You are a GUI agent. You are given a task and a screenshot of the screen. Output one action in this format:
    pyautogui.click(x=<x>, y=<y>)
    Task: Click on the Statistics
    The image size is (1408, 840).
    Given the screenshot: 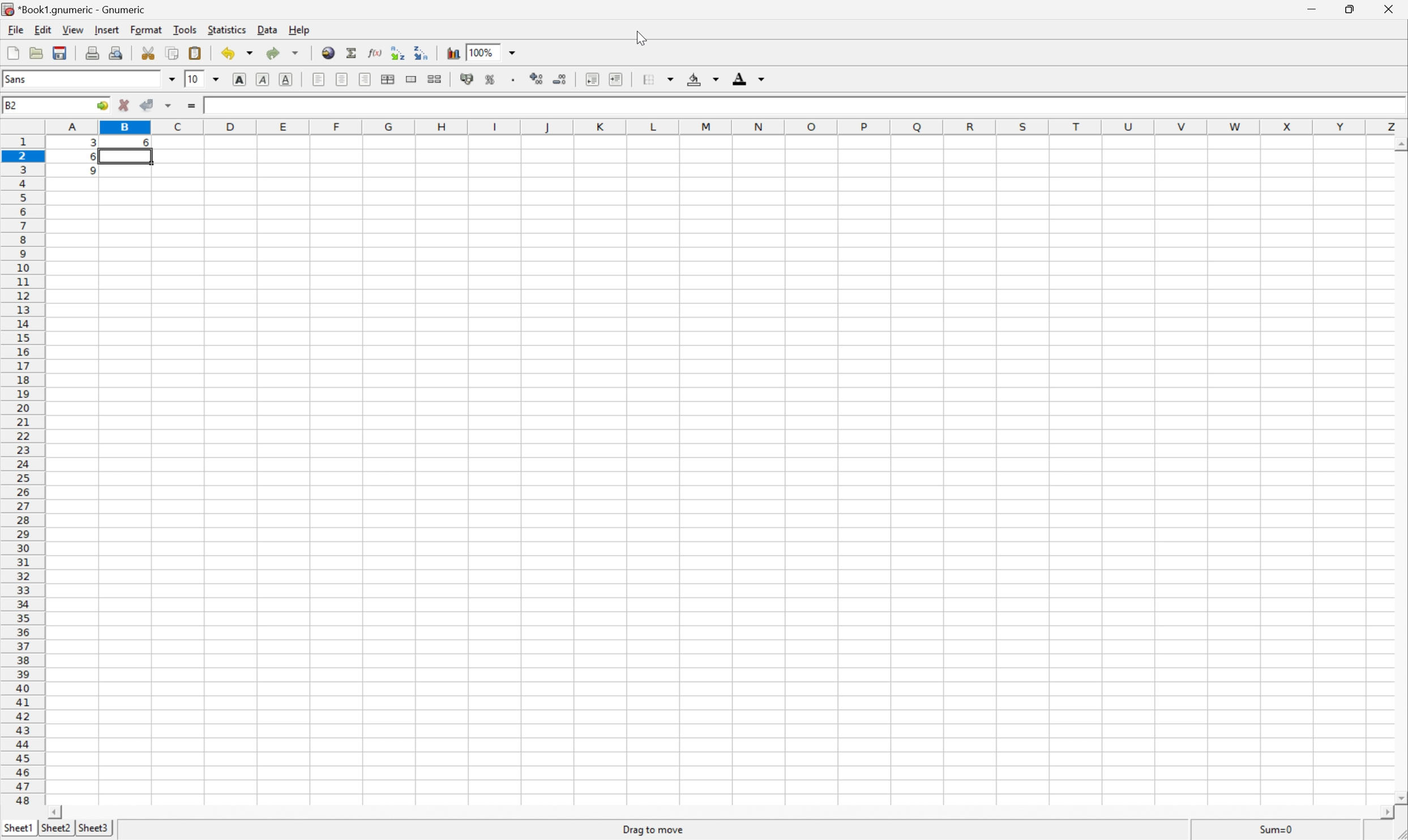 What is the action you would take?
    pyautogui.click(x=227, y=29)
    